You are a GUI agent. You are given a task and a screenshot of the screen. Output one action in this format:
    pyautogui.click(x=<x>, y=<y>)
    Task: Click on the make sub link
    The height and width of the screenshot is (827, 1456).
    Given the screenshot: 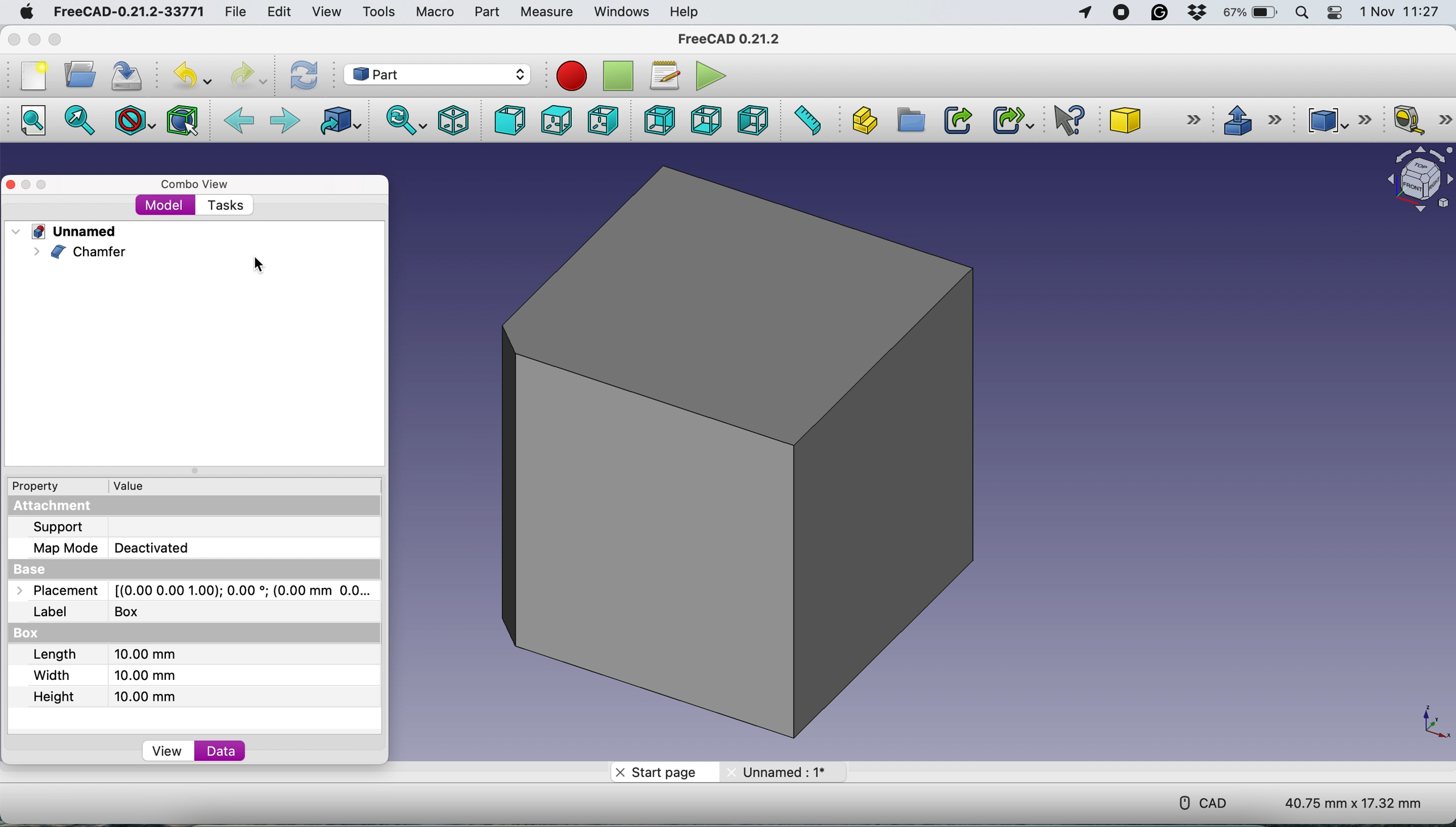 What is the action you would take?
    pyautogui.click(x=1012, y=120)
    